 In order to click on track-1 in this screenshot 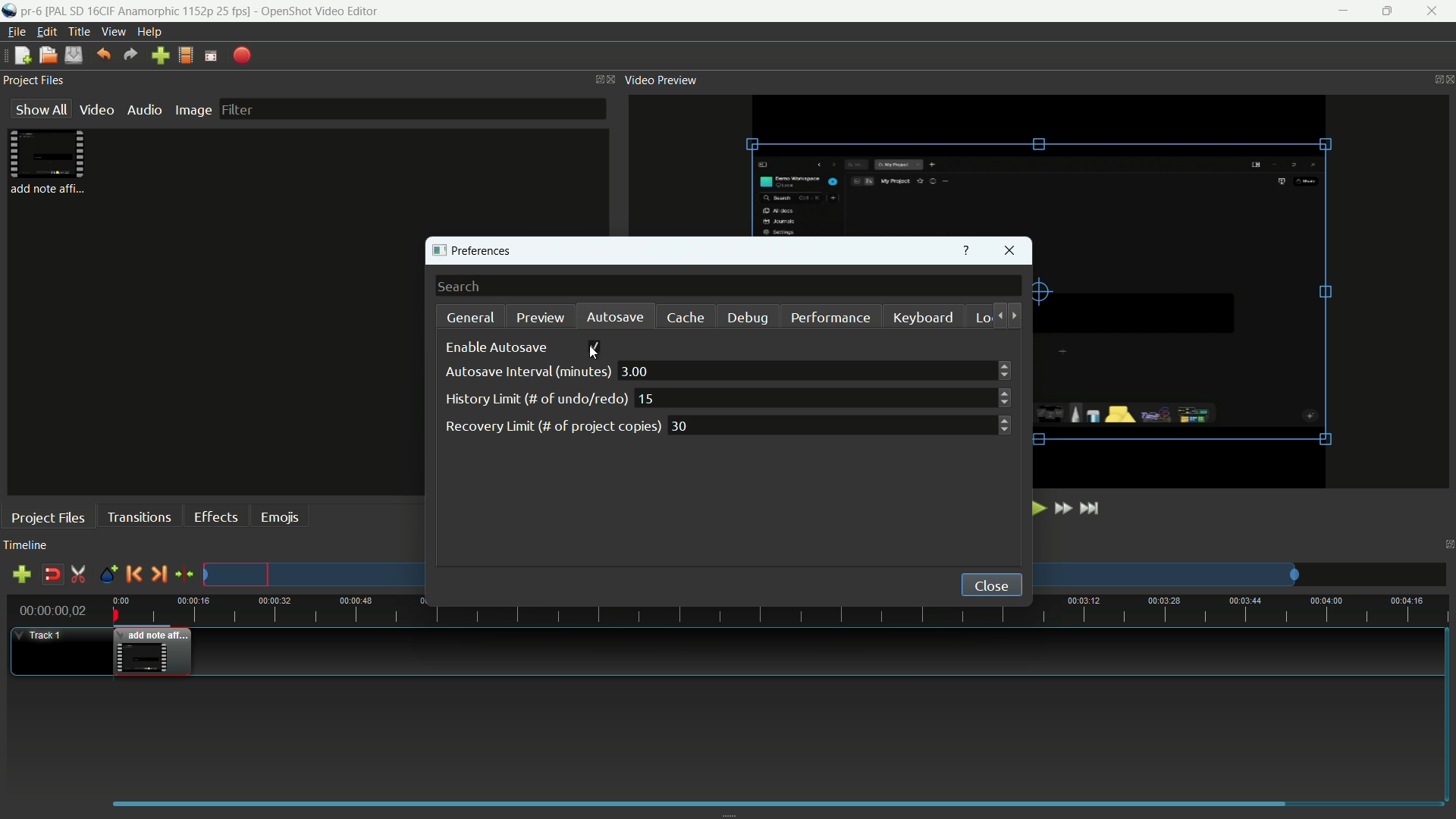, I will do `click(48, 635)`.